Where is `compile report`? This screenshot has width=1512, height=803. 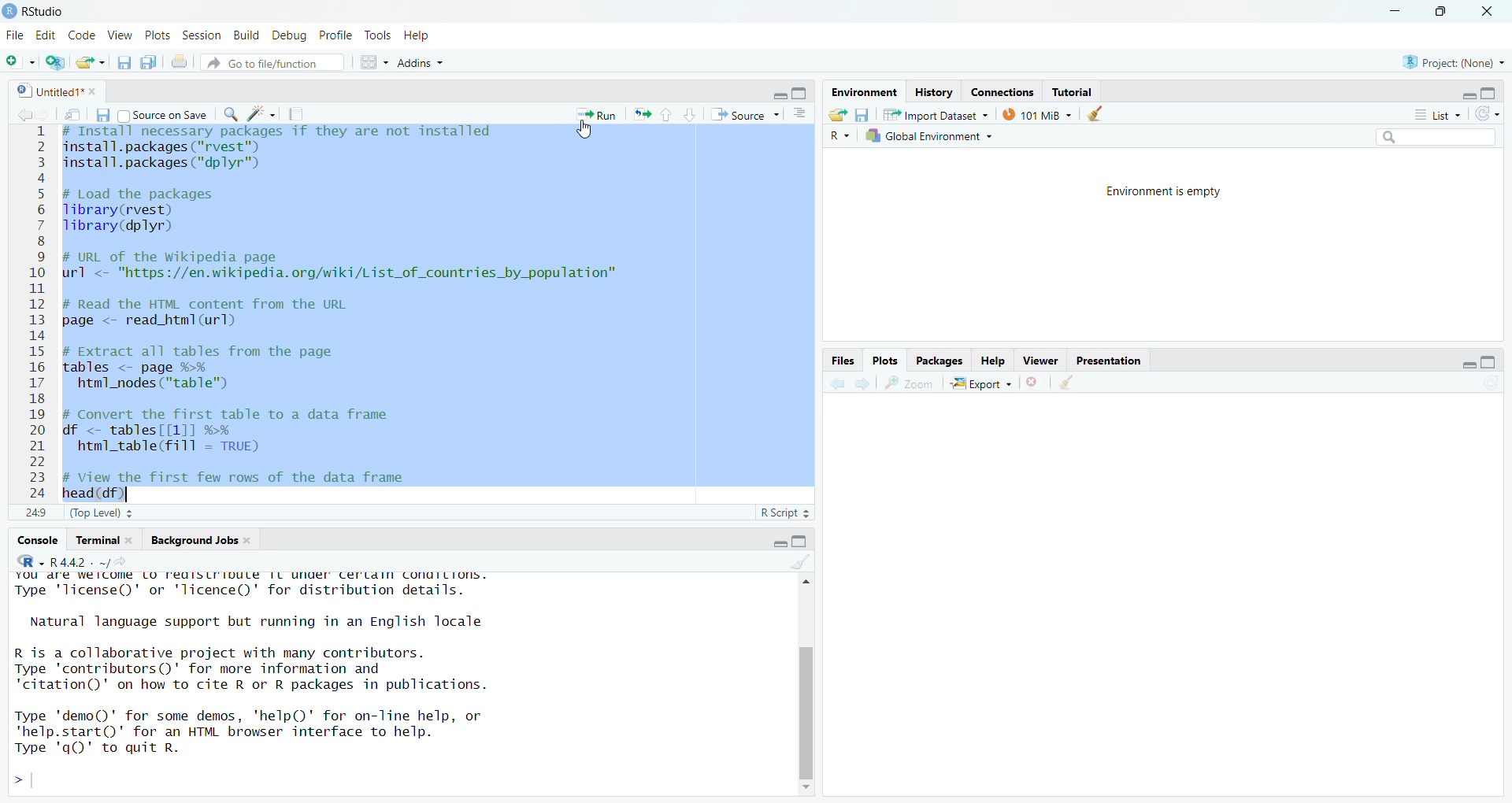
compile report is located at coordinates (295, 113).